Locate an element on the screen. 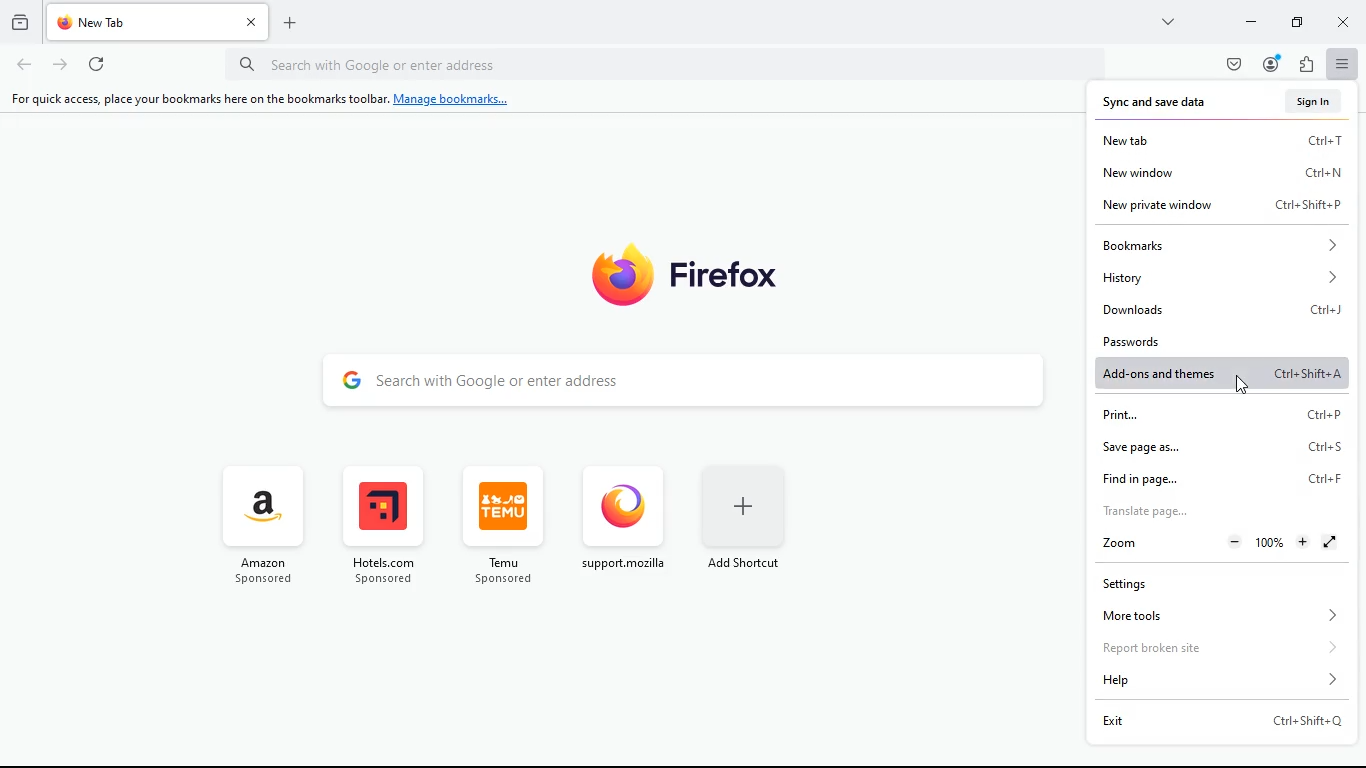  passwords is located at coordinates (1223, 341).